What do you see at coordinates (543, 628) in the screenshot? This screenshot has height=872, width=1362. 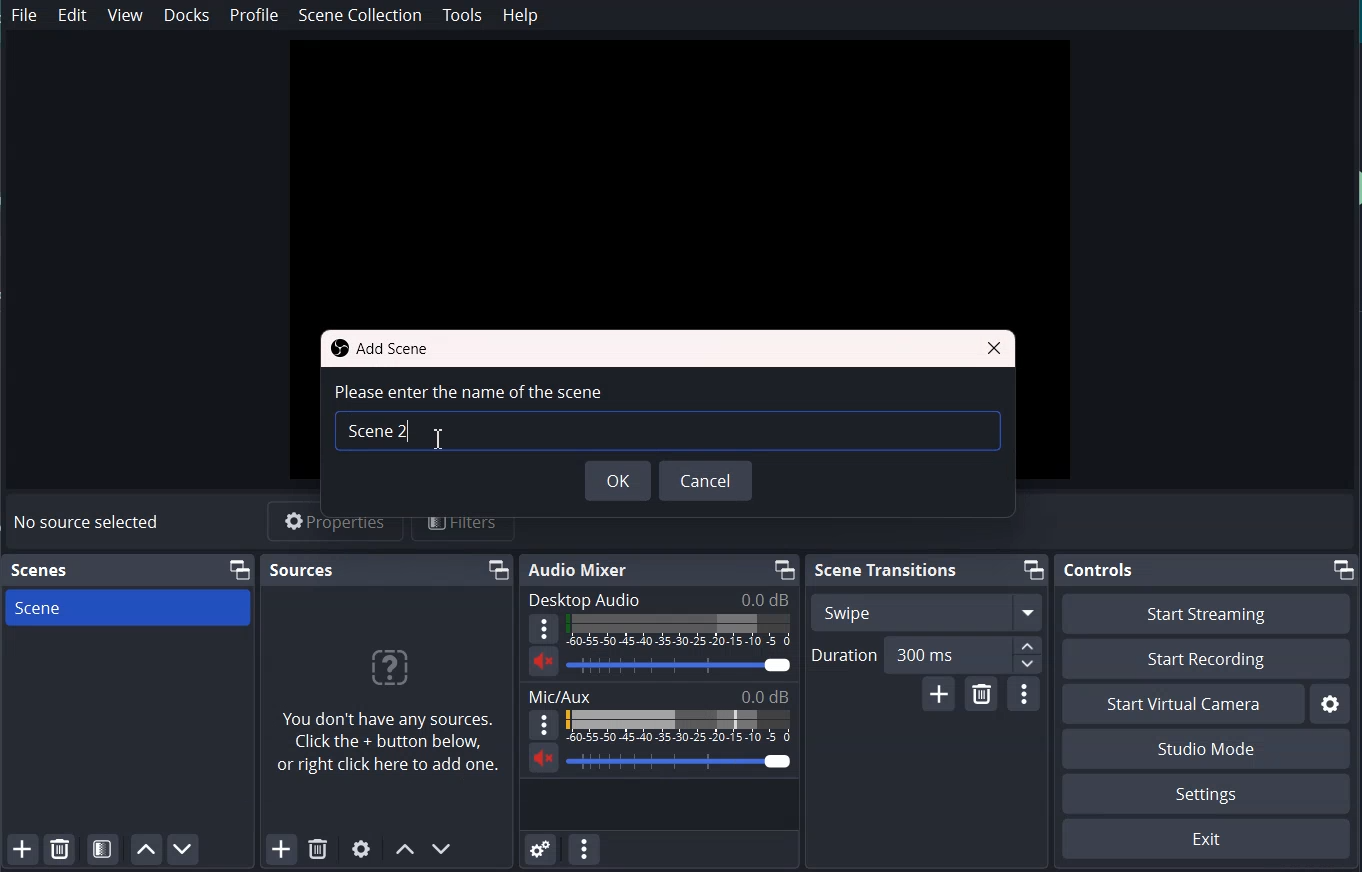 I see `More` at bounding box center [543, 628].